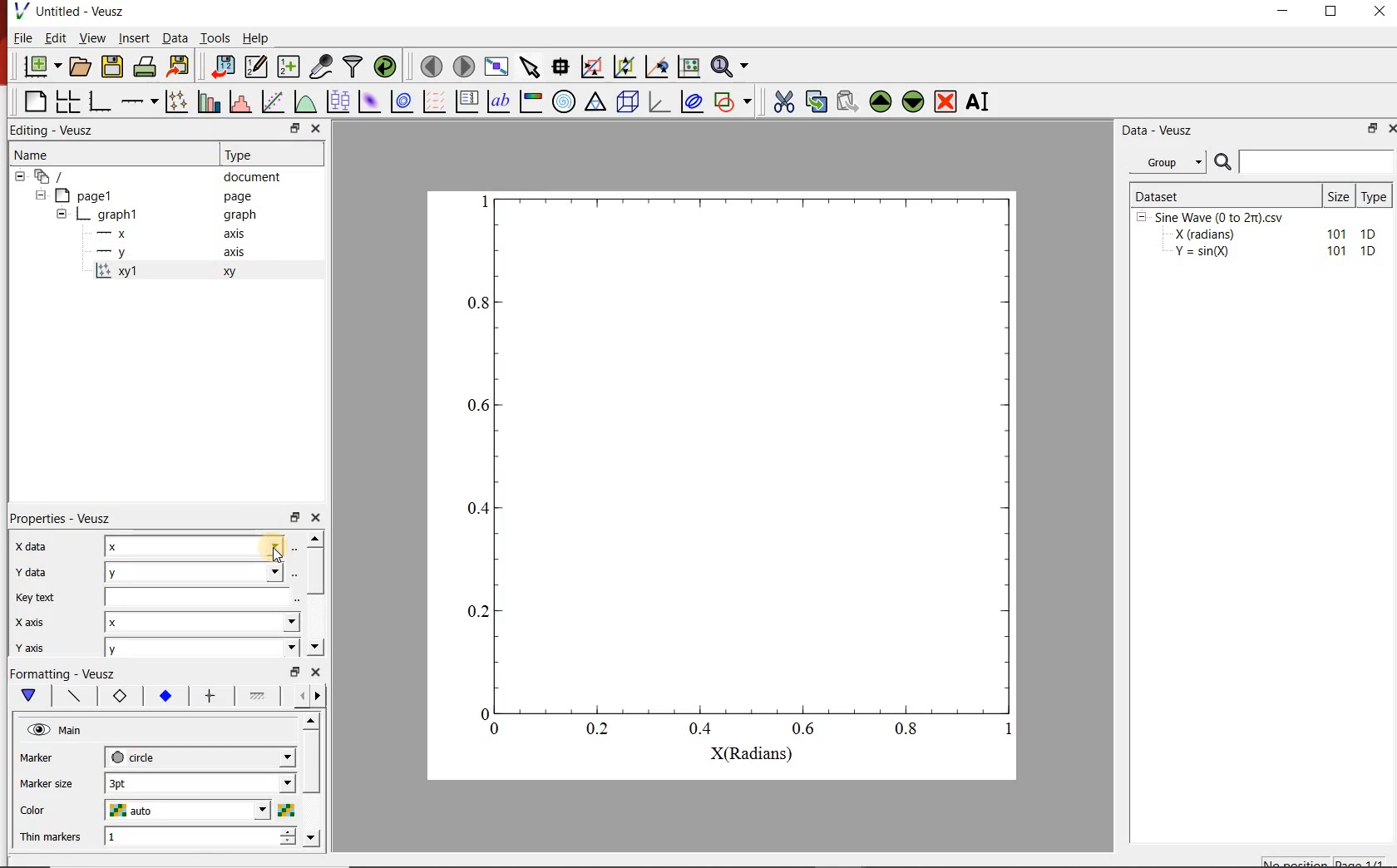 Image resolution: width=1397 pixels, height=868 pixels. Describe the element at coordinates (139, 101) in the screenshot. I see `add an axis` at that location.